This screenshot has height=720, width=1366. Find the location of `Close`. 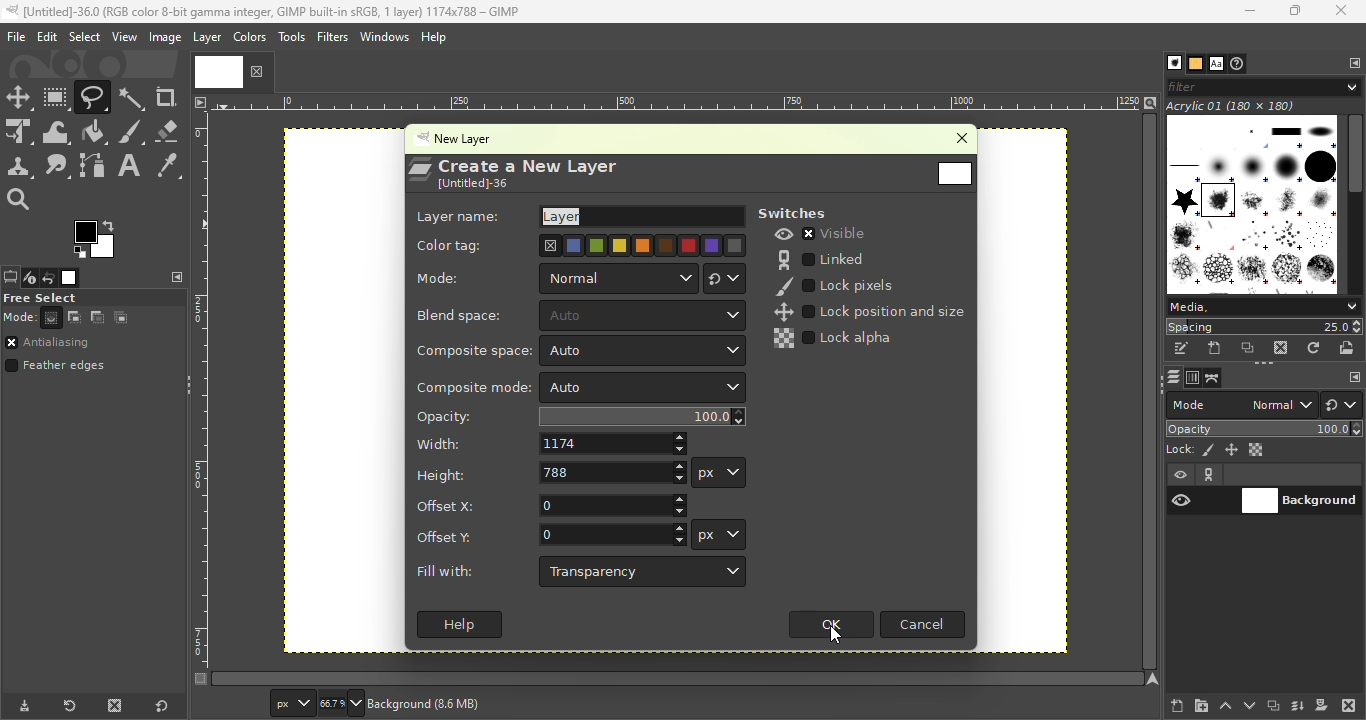

Close is located at coordinates (955, 140).